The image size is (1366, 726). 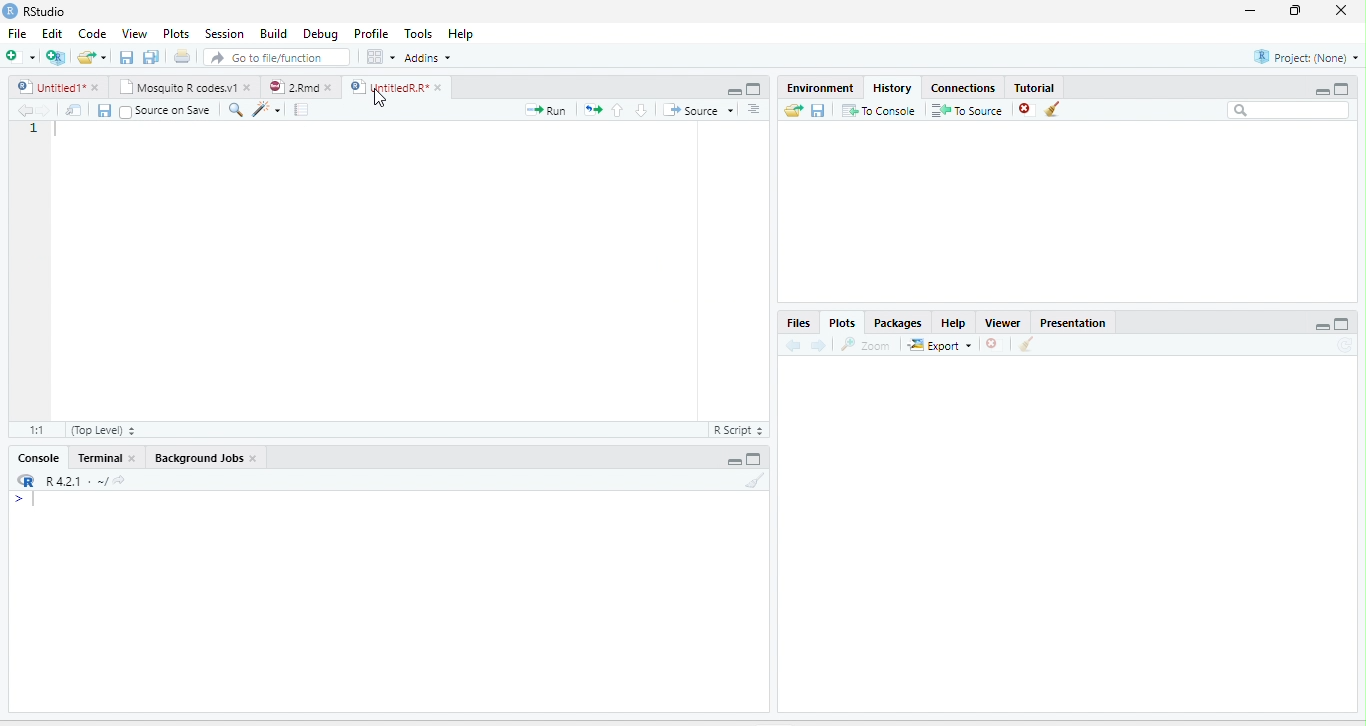 What do you see at coordinates (996, 343) in the screenshot?
I see `Remove current plot` at bounding box center [996, 343].